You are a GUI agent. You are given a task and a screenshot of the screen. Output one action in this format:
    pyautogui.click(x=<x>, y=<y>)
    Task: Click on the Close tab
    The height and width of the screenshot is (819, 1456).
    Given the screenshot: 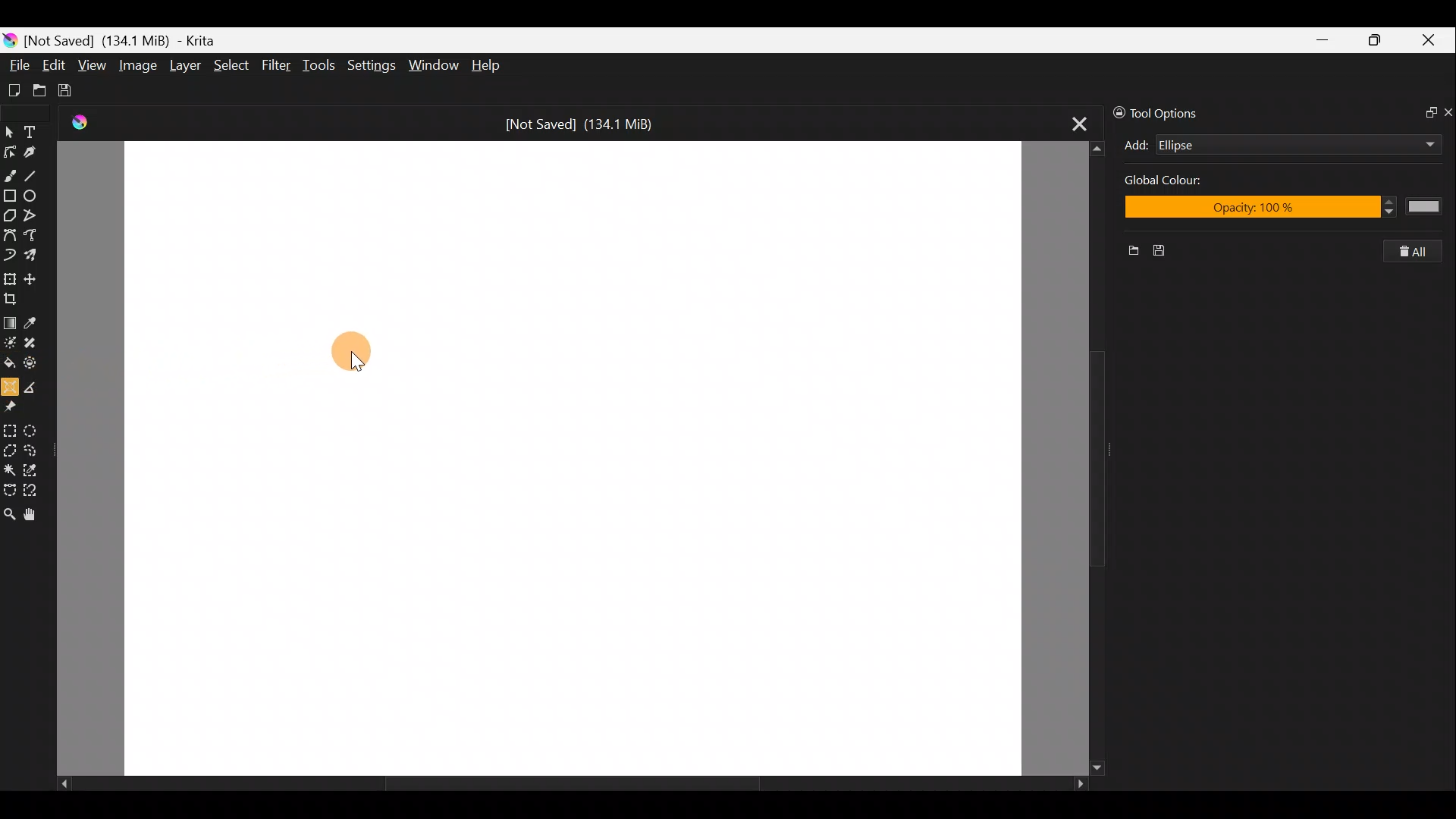 What is the action you would take?
    pyautogui.click(x=1071, y=124)
    